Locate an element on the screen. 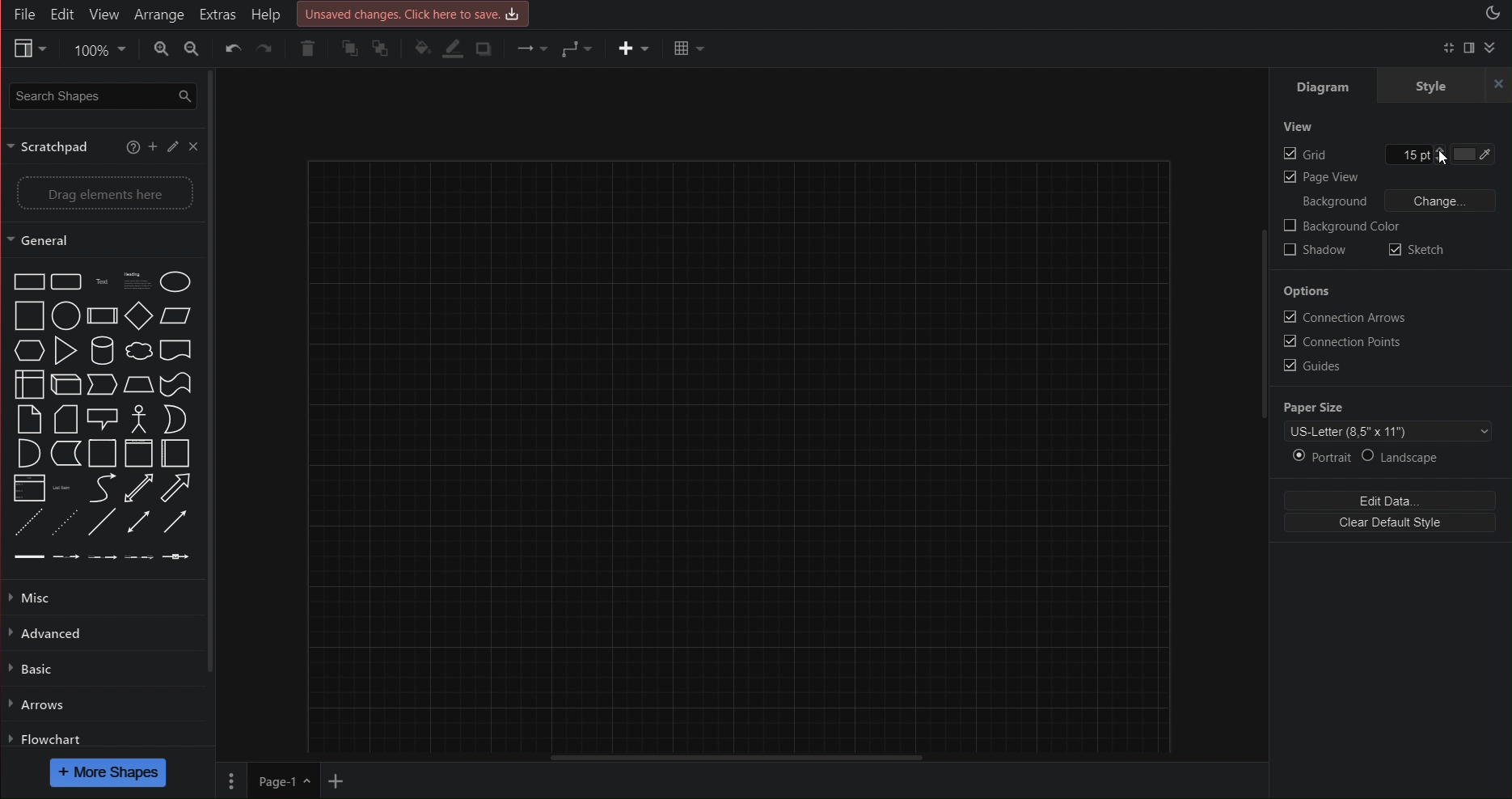  Help is located at coordinates (133, 148).